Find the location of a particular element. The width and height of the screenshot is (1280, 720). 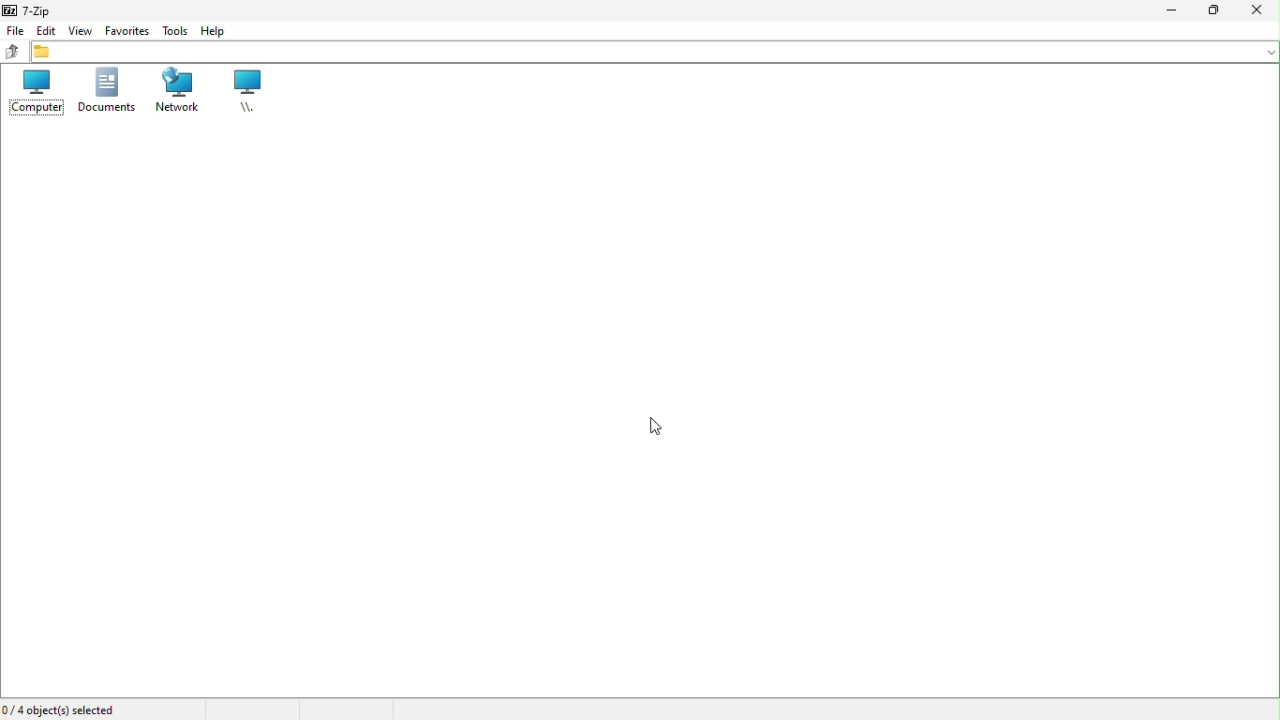

documents is located at coordinates (107, 93).